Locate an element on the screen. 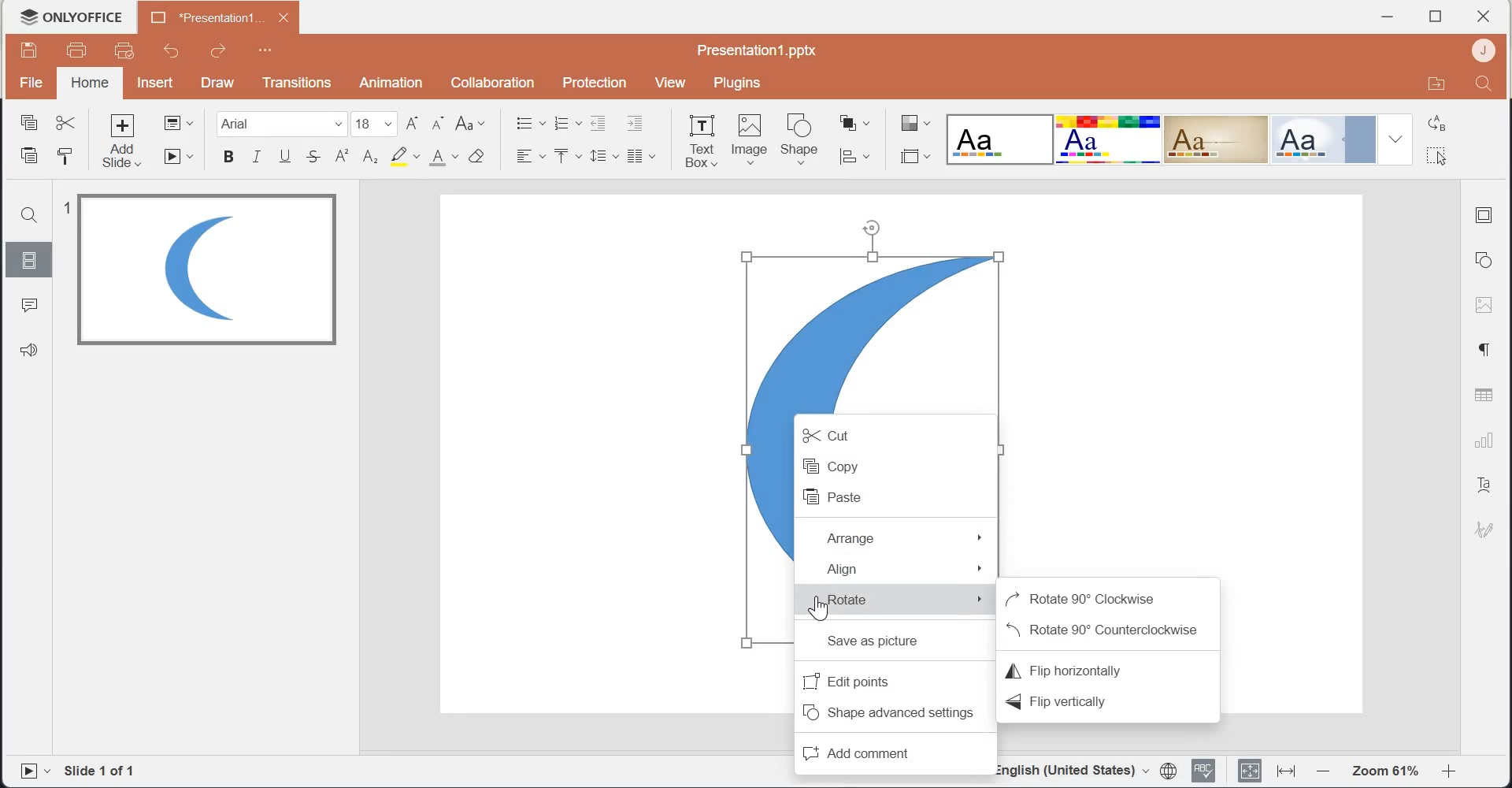 The image size is (1512, 788). Presentation1.pptx is located at coordinates (758, 50).